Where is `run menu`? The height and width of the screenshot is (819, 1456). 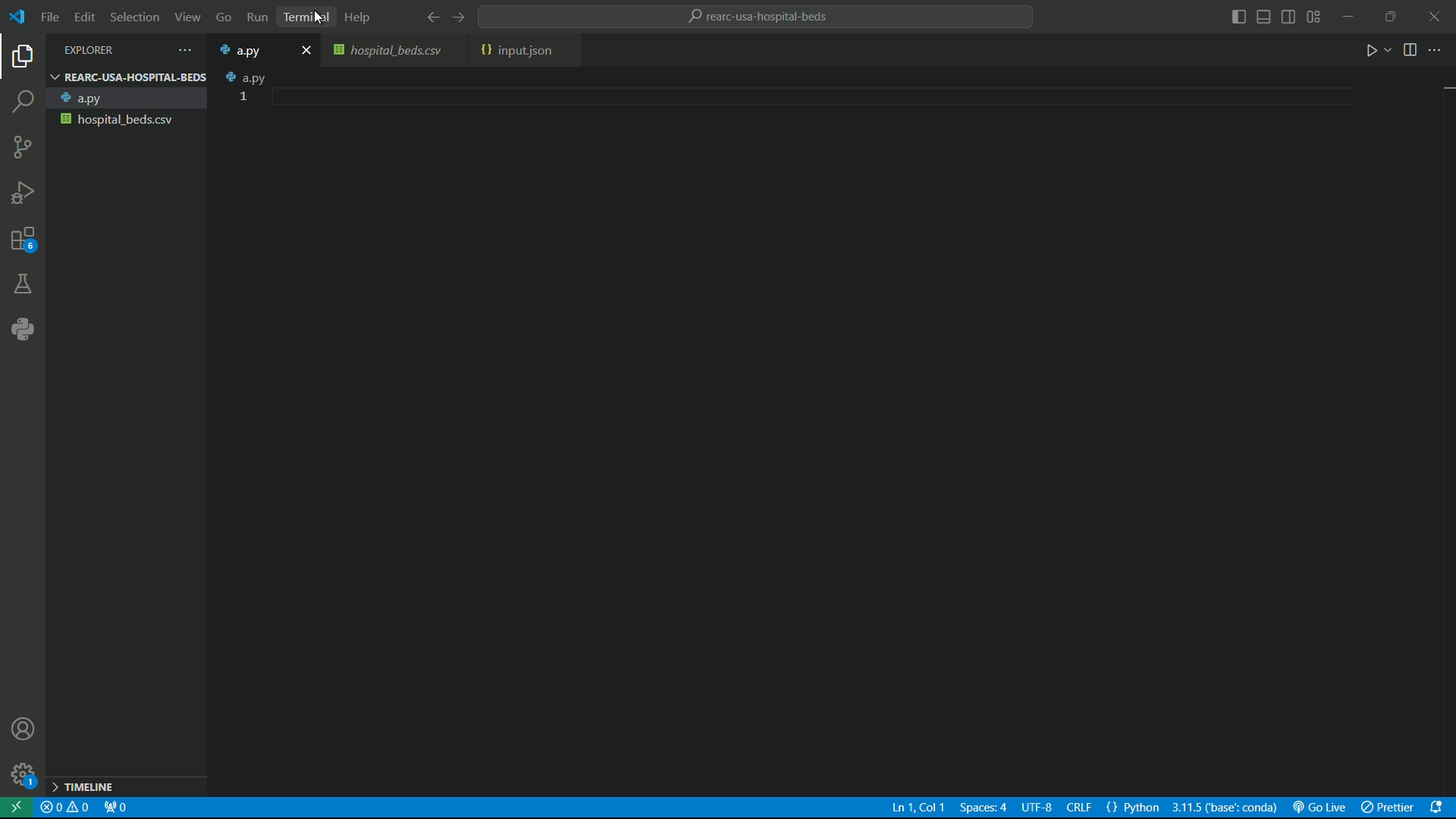
run menu is located at coordinates (256, 15).